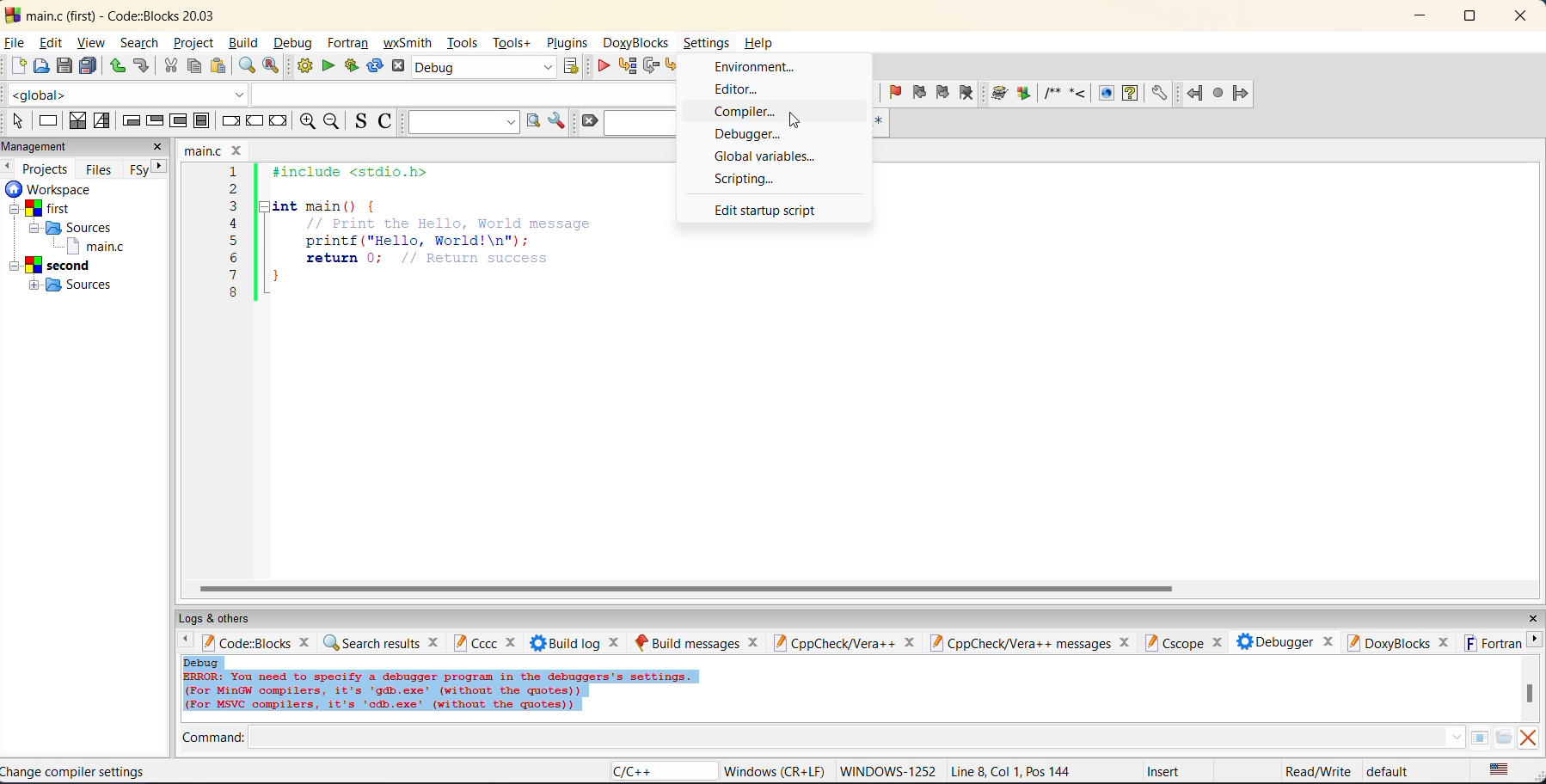 The height and width of the screenshot is (784, 1546). Describe the element at coordinates (754, 134) in the screenshot. I see `debugger` at that location.